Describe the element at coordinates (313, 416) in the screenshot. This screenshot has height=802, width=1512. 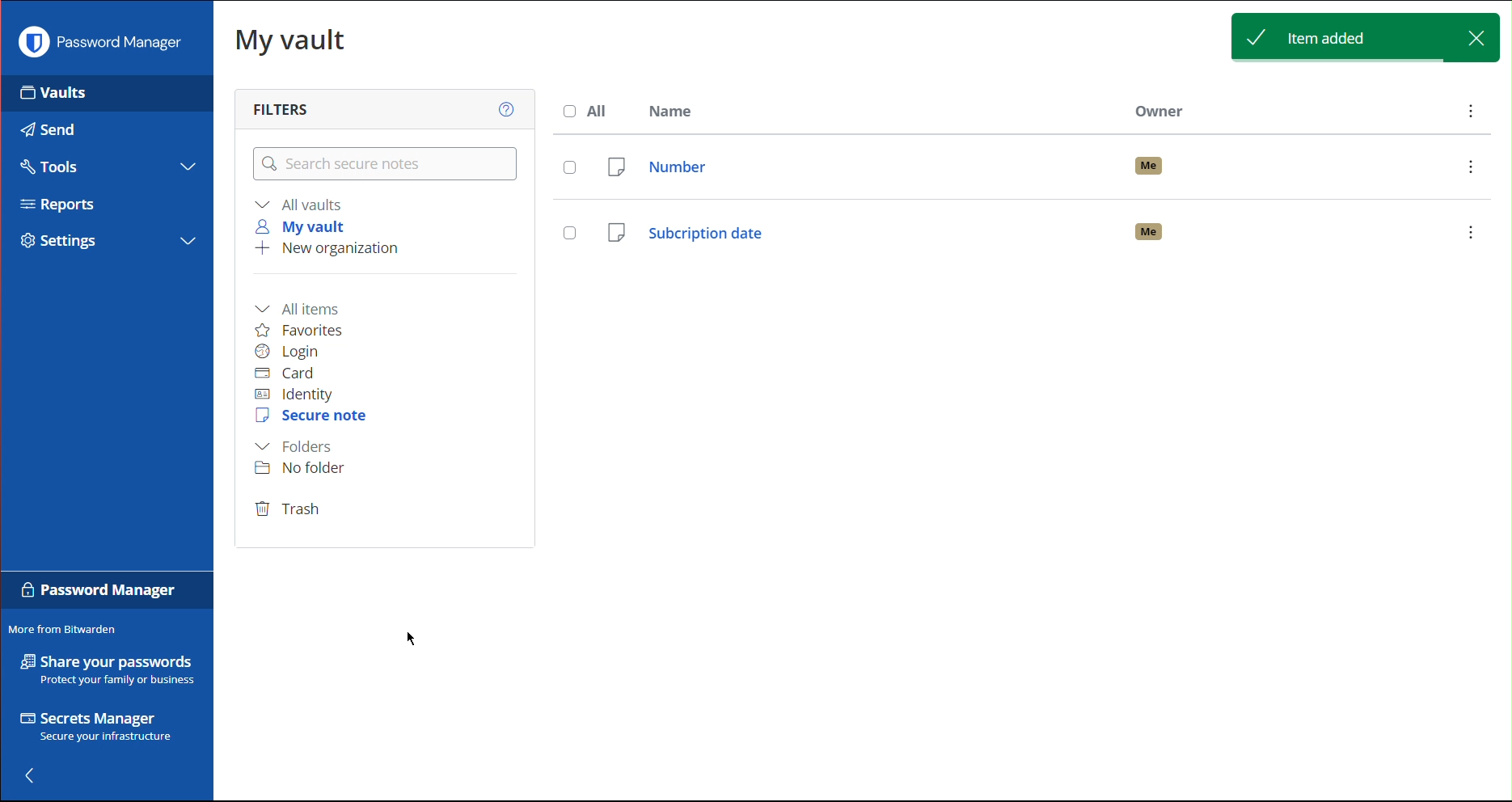
I see `Secure Note` at that location.